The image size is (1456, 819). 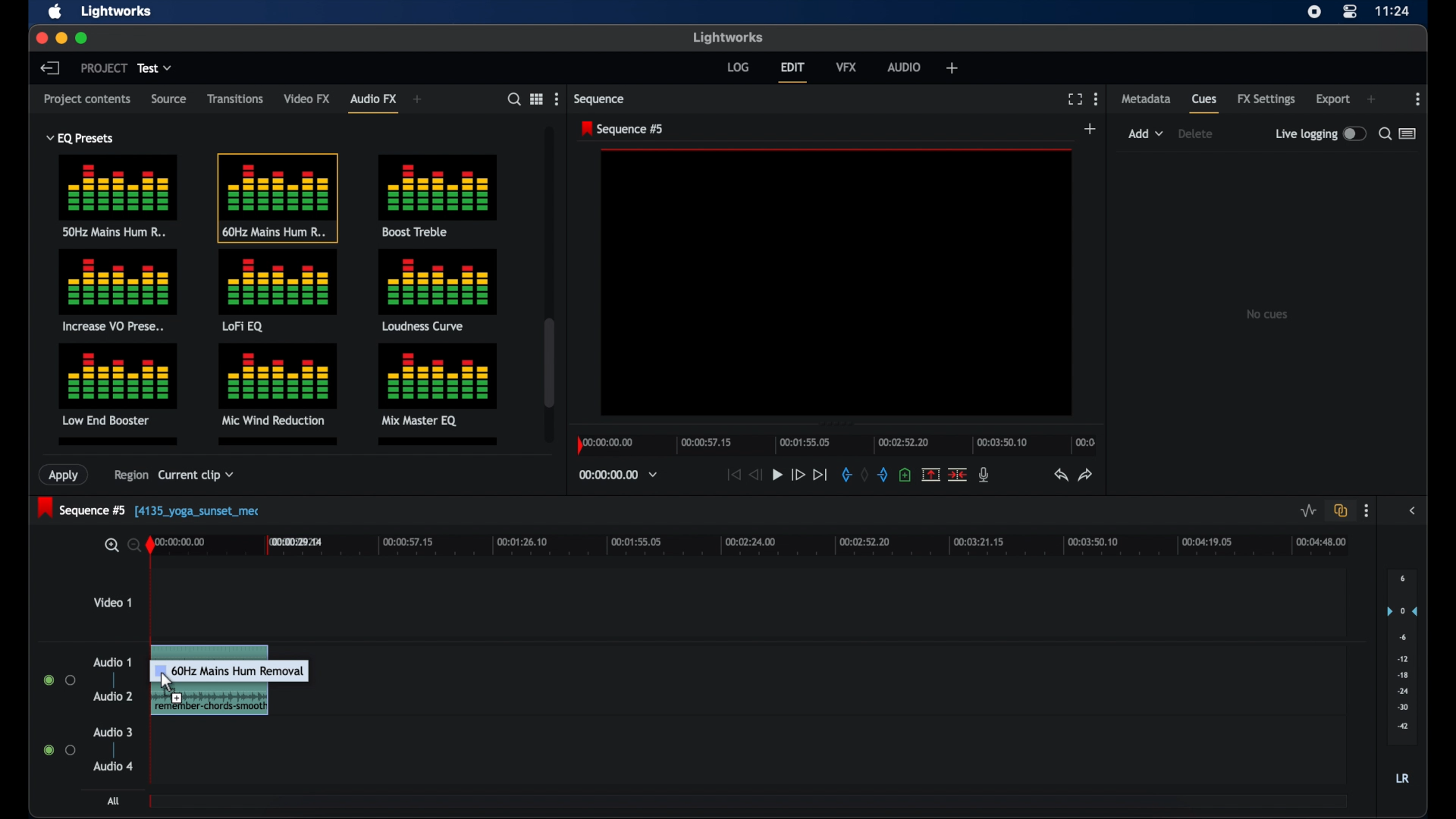 What do you see at coordinates (112, 662) in the screenshot?
I see `audio 1` at bounding box center [112, 662].